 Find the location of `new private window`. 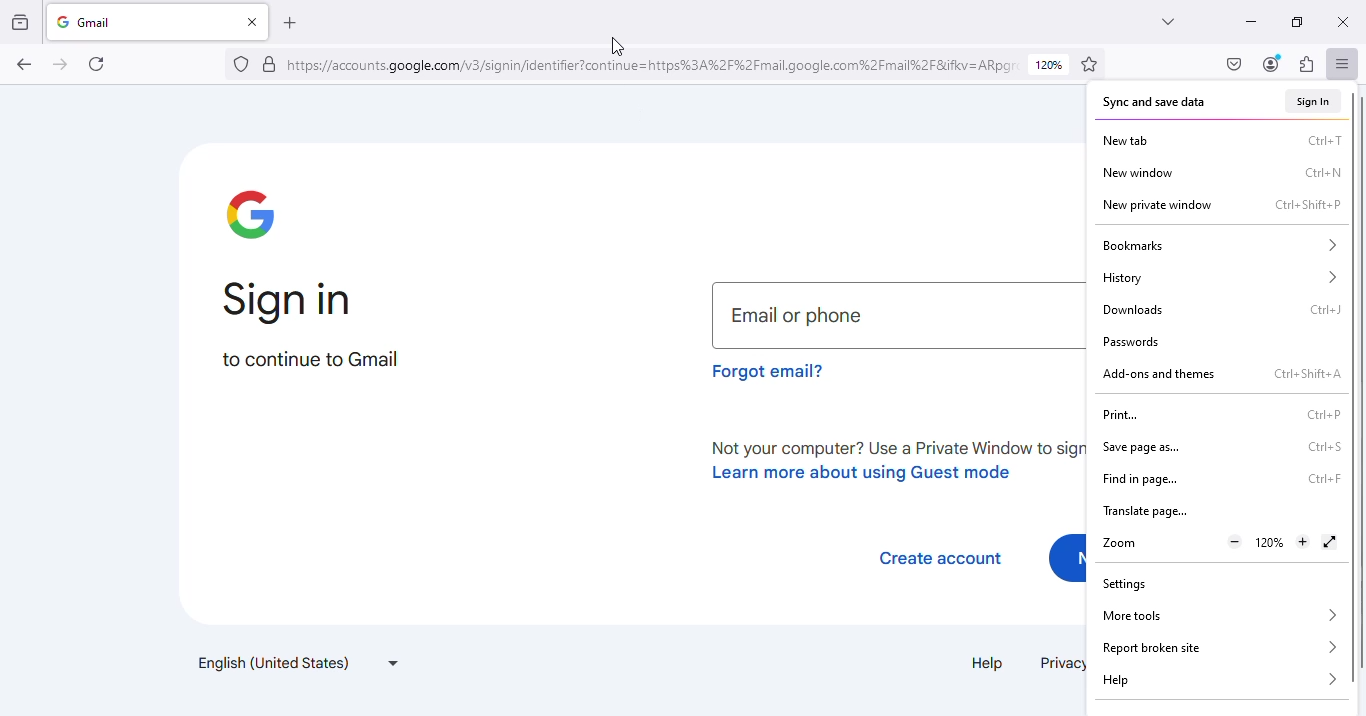

new private window is located at coordinates (1156, 206).